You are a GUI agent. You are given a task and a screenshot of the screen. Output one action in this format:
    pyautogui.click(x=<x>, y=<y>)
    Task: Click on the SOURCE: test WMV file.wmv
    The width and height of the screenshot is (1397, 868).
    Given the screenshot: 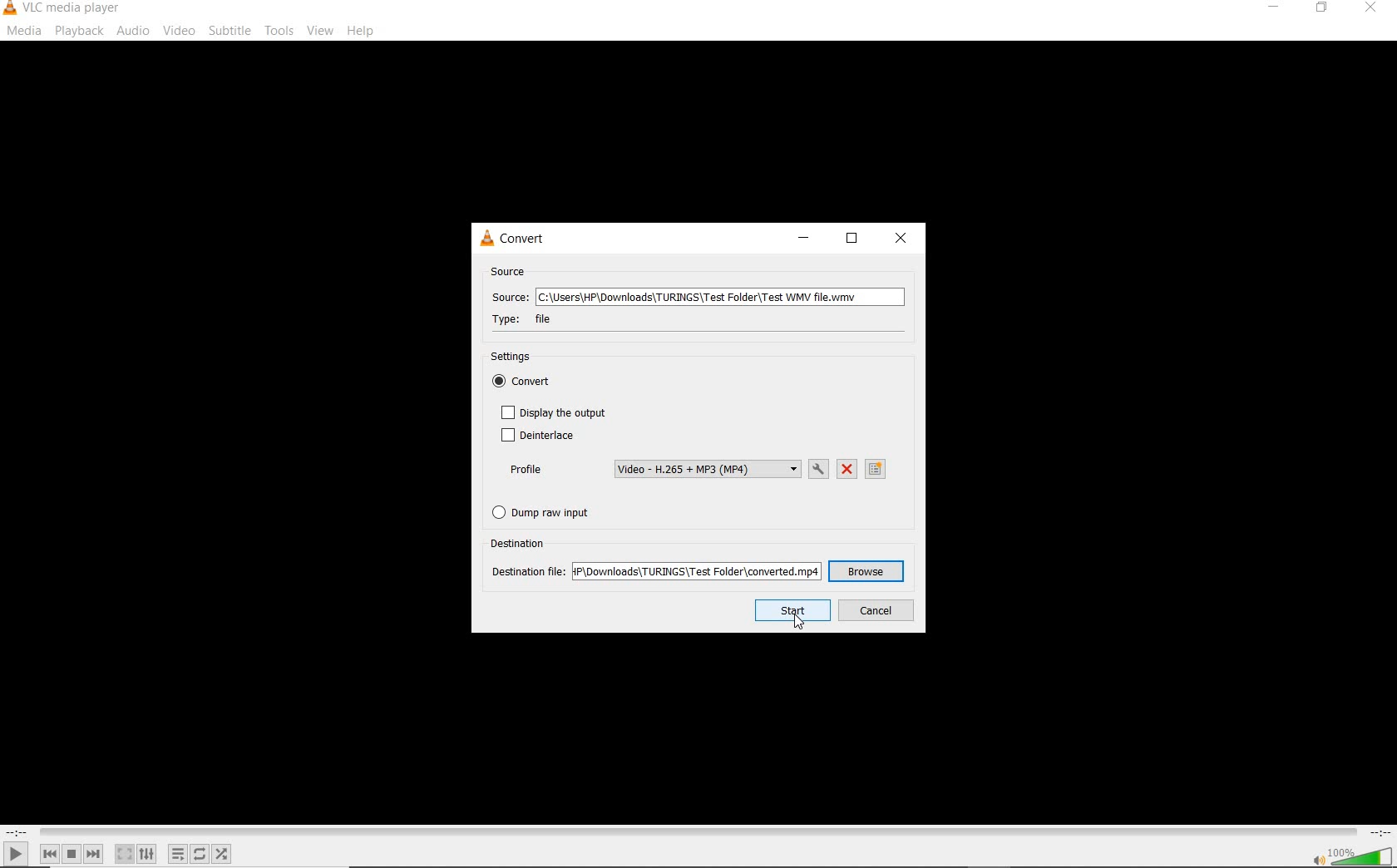 What is the action you would take?
    pyautogui.click(x=695, y=298)
    